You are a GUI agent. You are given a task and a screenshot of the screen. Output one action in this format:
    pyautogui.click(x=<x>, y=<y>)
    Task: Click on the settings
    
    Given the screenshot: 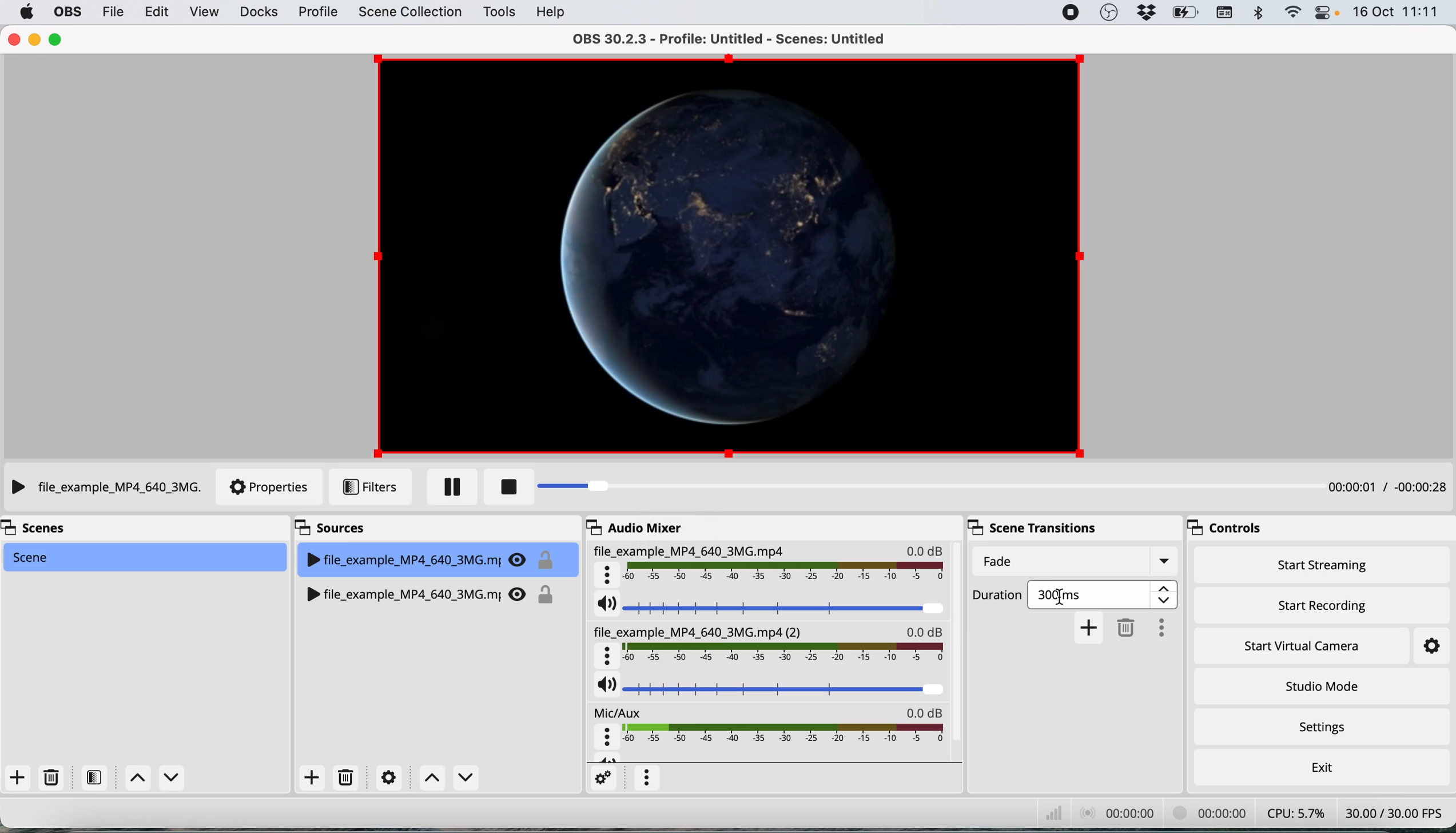 What is the action you would take?
    pyautogui.click(x=1430, y=645)
    